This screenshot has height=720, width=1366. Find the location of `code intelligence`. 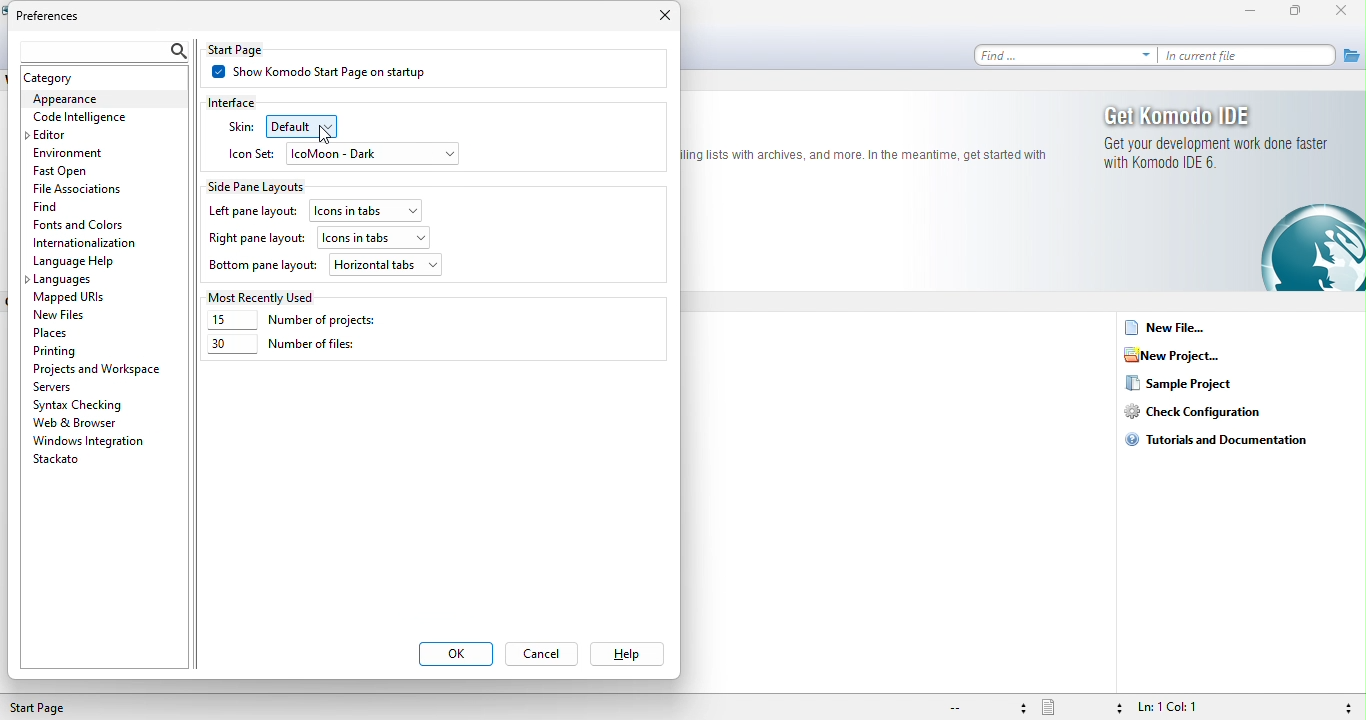

code intelligence is located at coordinates (80, 118).